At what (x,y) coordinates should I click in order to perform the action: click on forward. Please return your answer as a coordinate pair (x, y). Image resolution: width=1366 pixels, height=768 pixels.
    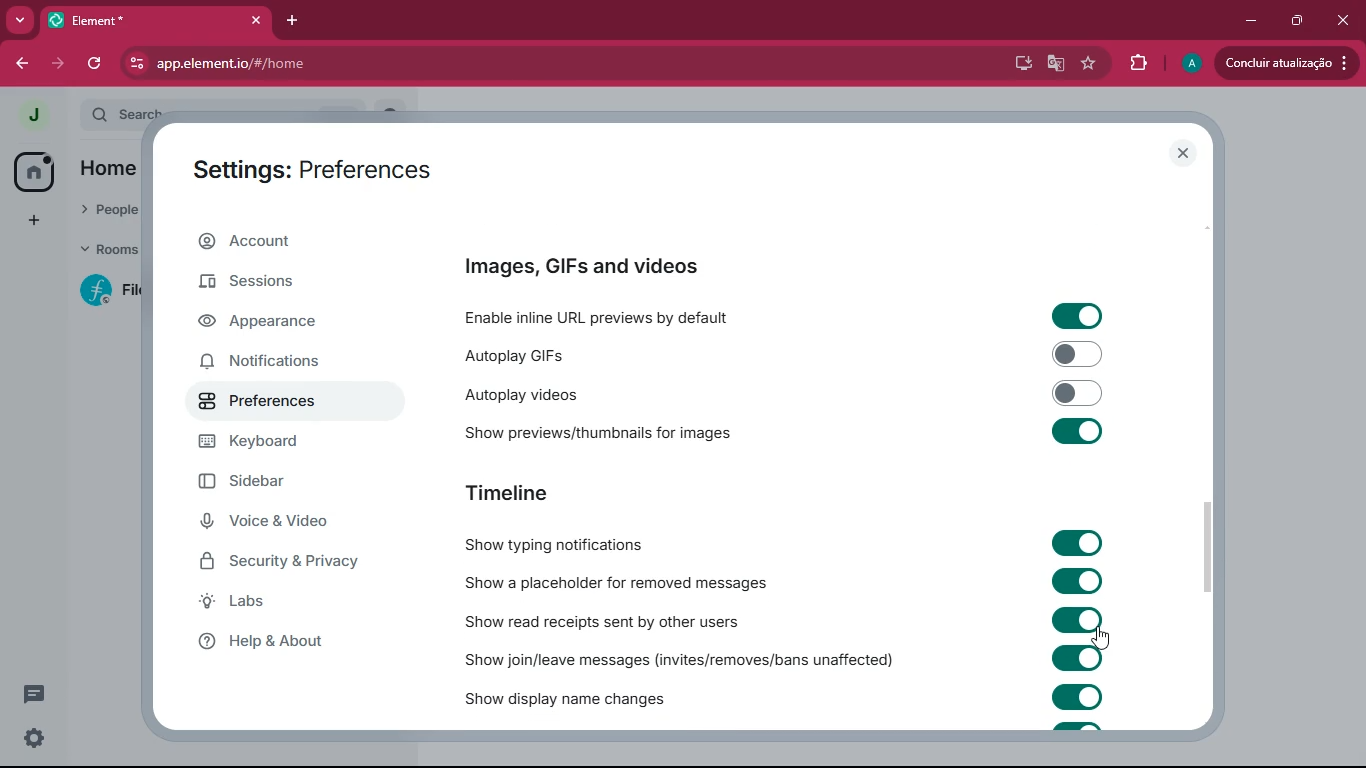
    Looking at the image, I should click on (58, 64).